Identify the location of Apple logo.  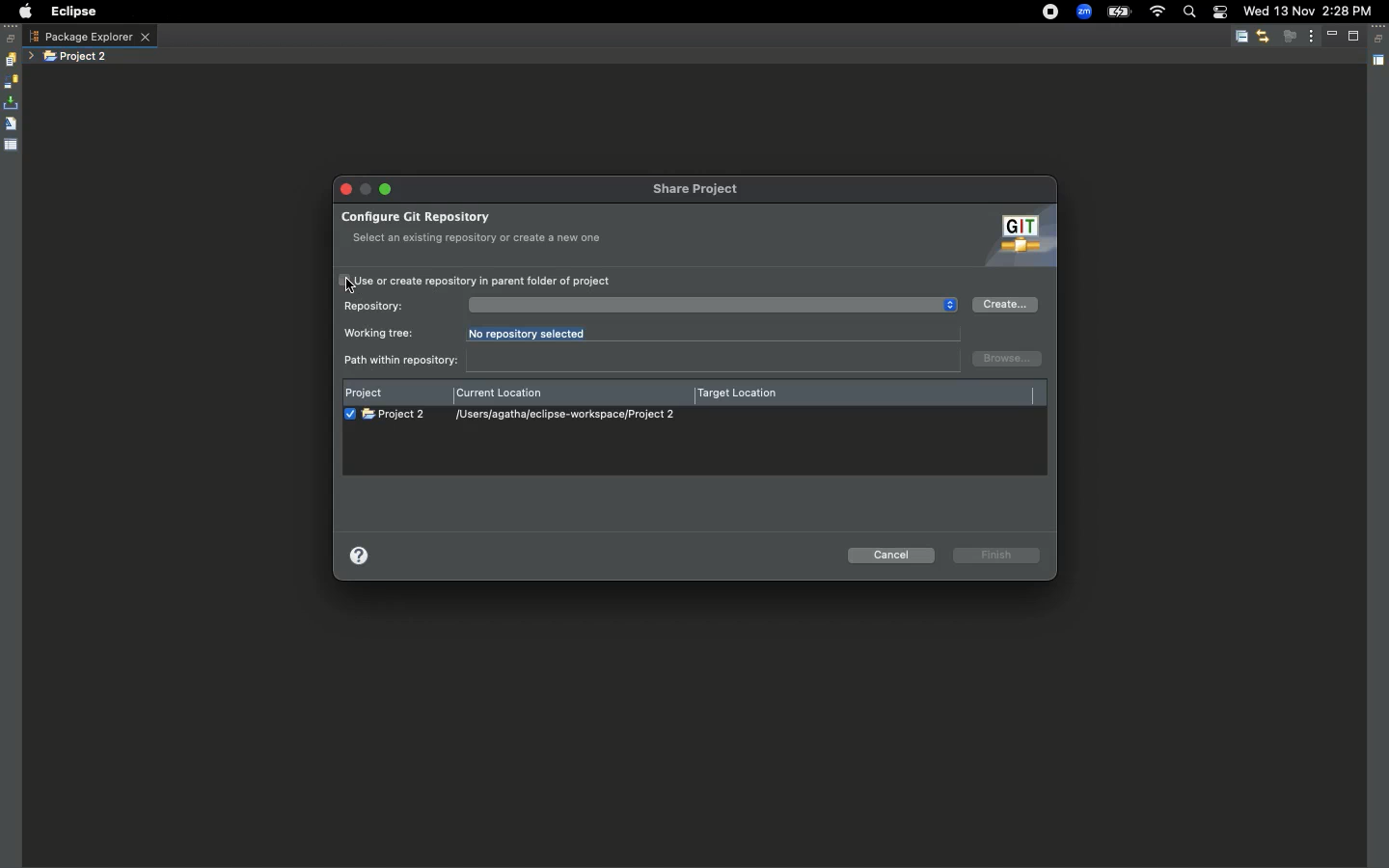
(22, 12).